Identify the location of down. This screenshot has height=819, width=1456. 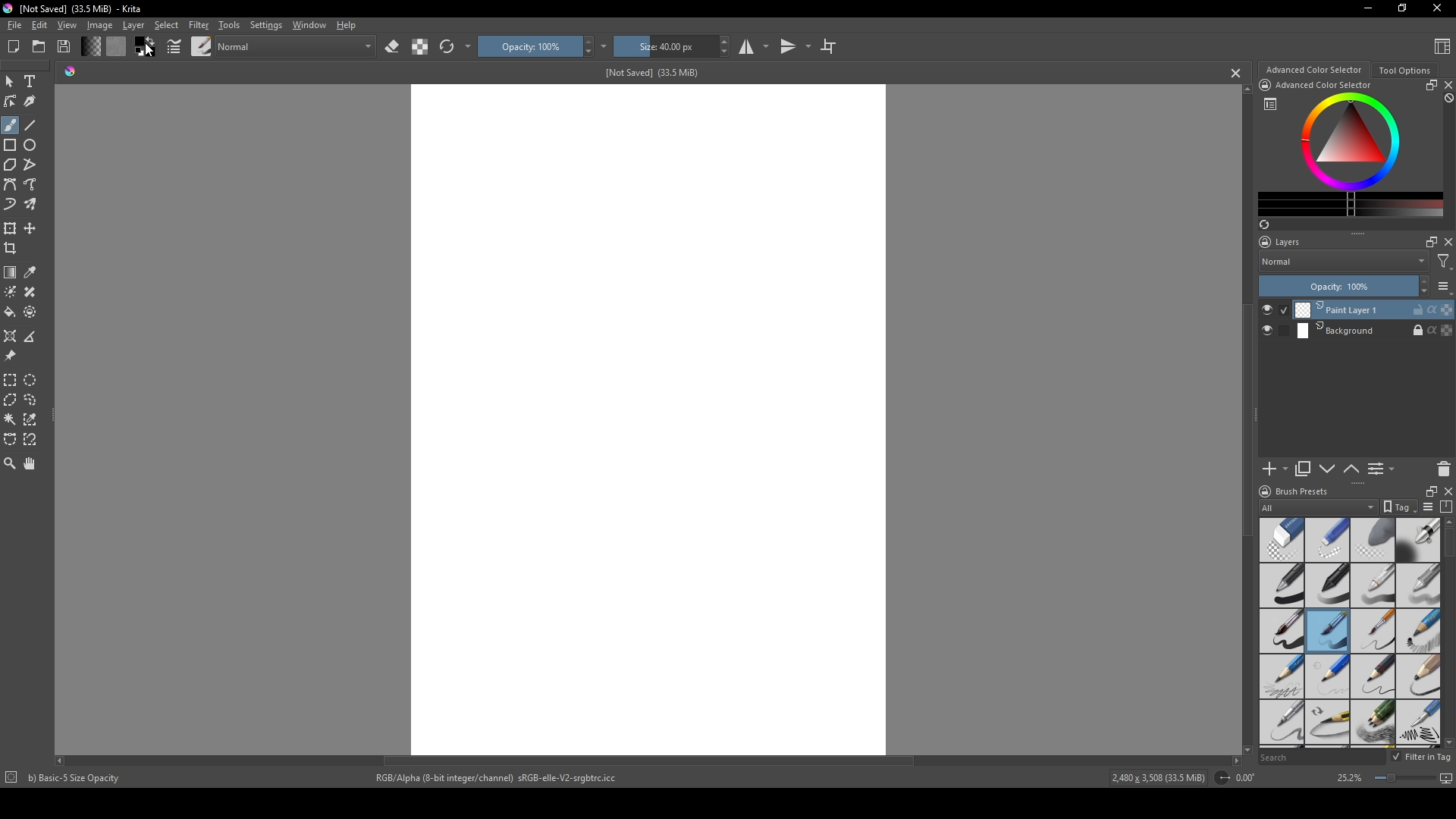
(1327, 469).